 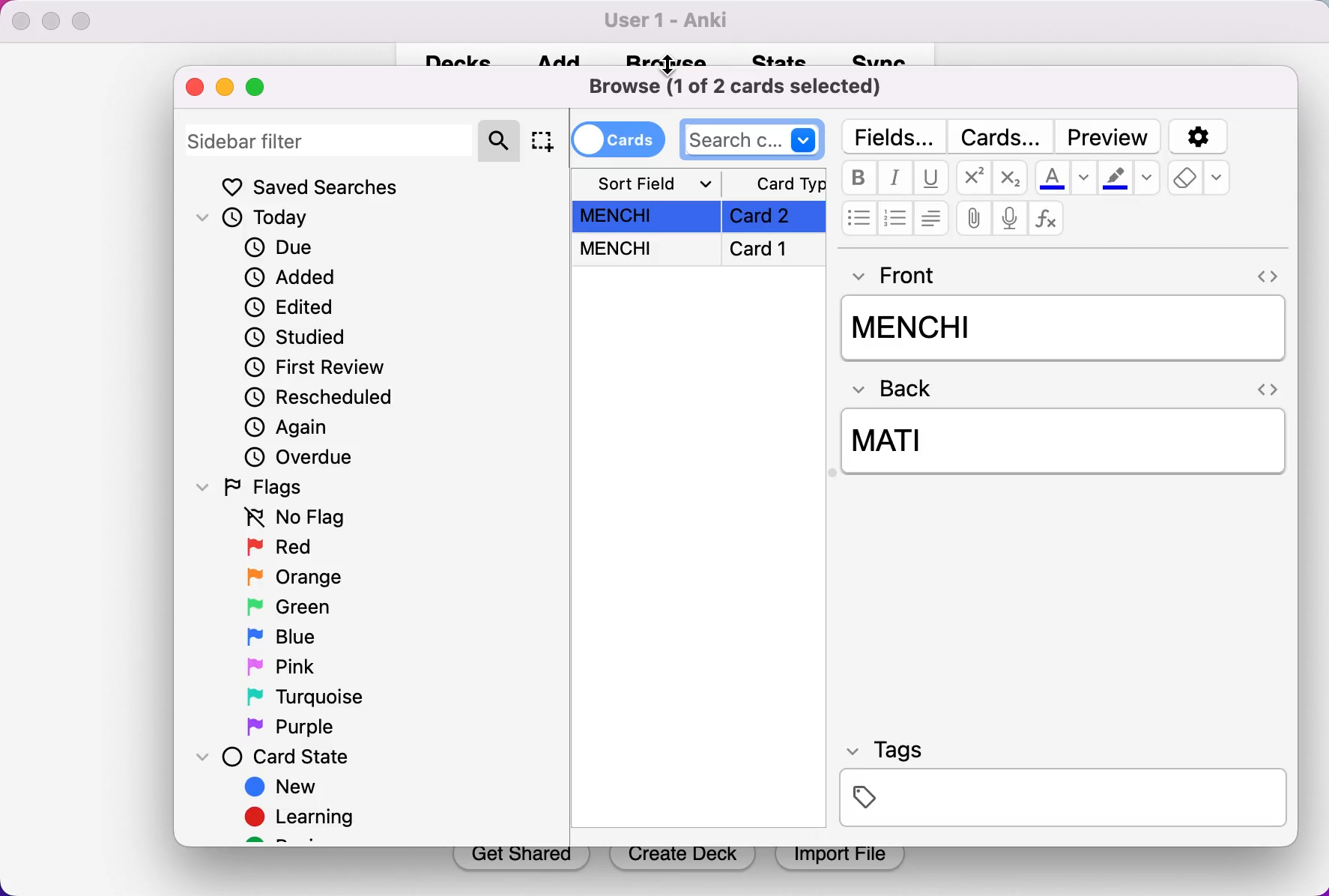 What do you see at coordinates (1066, 178) in the screenshot?
I see `text color` at bounding box center [1066, 178].